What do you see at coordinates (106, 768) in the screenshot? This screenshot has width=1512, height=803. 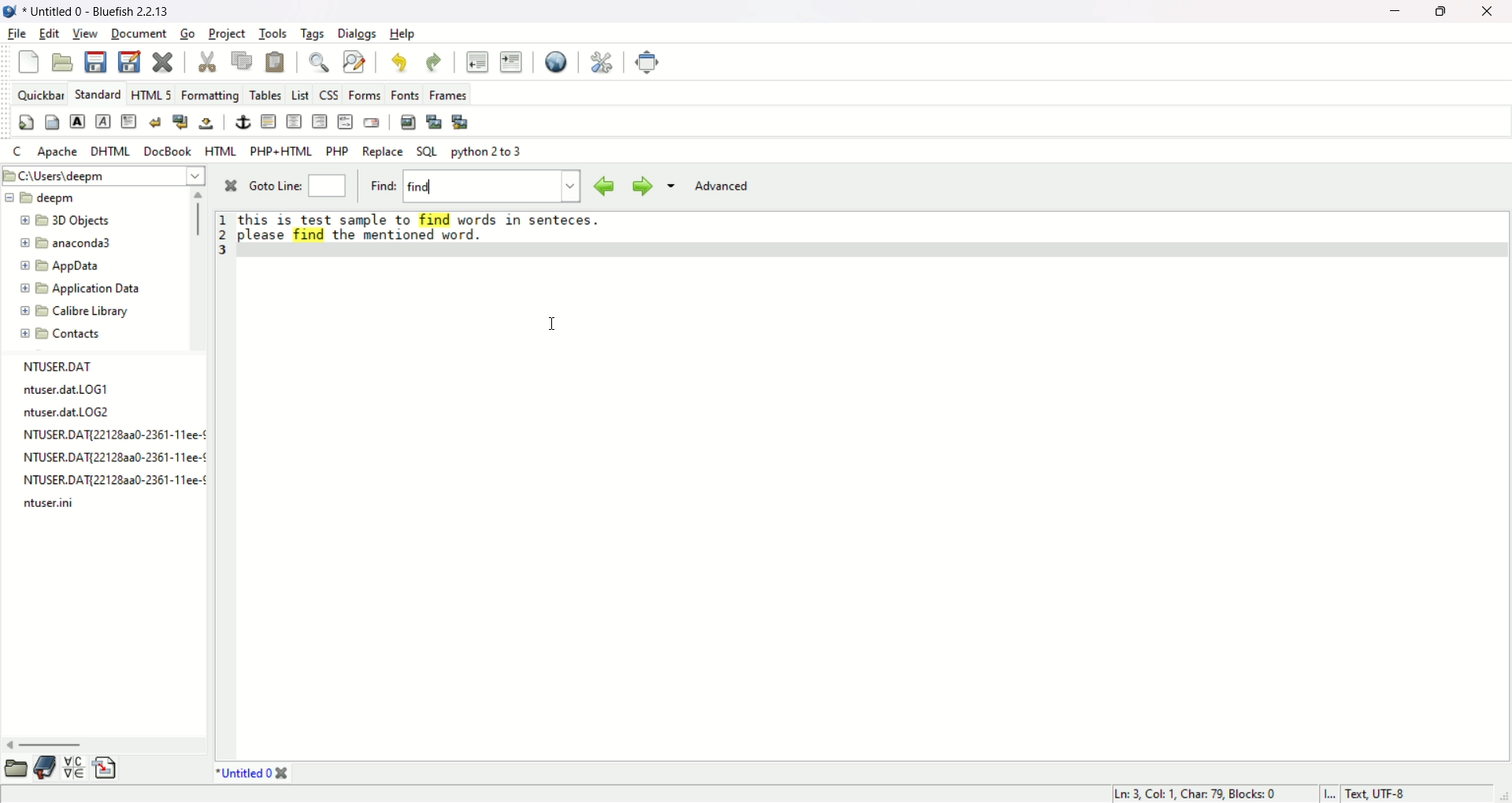 I see `insert file` at bounding box center [106, 768].